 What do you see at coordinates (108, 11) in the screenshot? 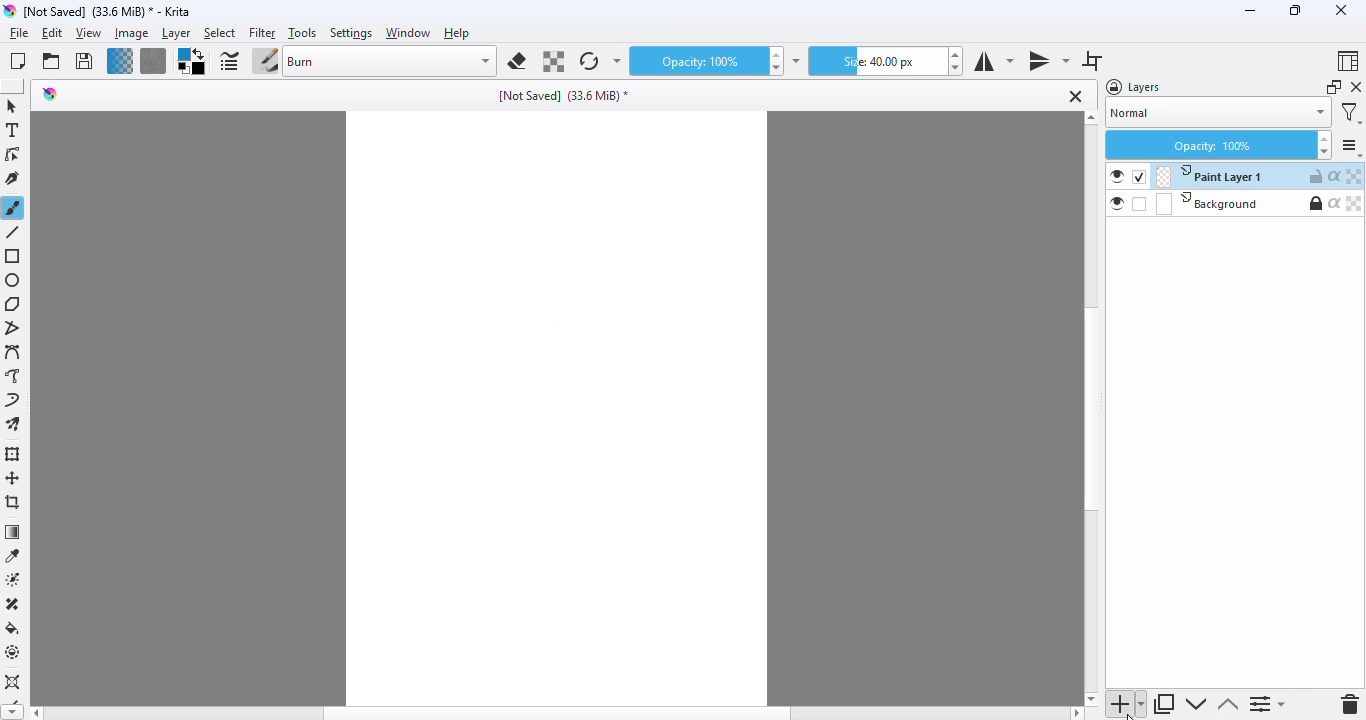
I see `title` at bounding box center [108, 11].